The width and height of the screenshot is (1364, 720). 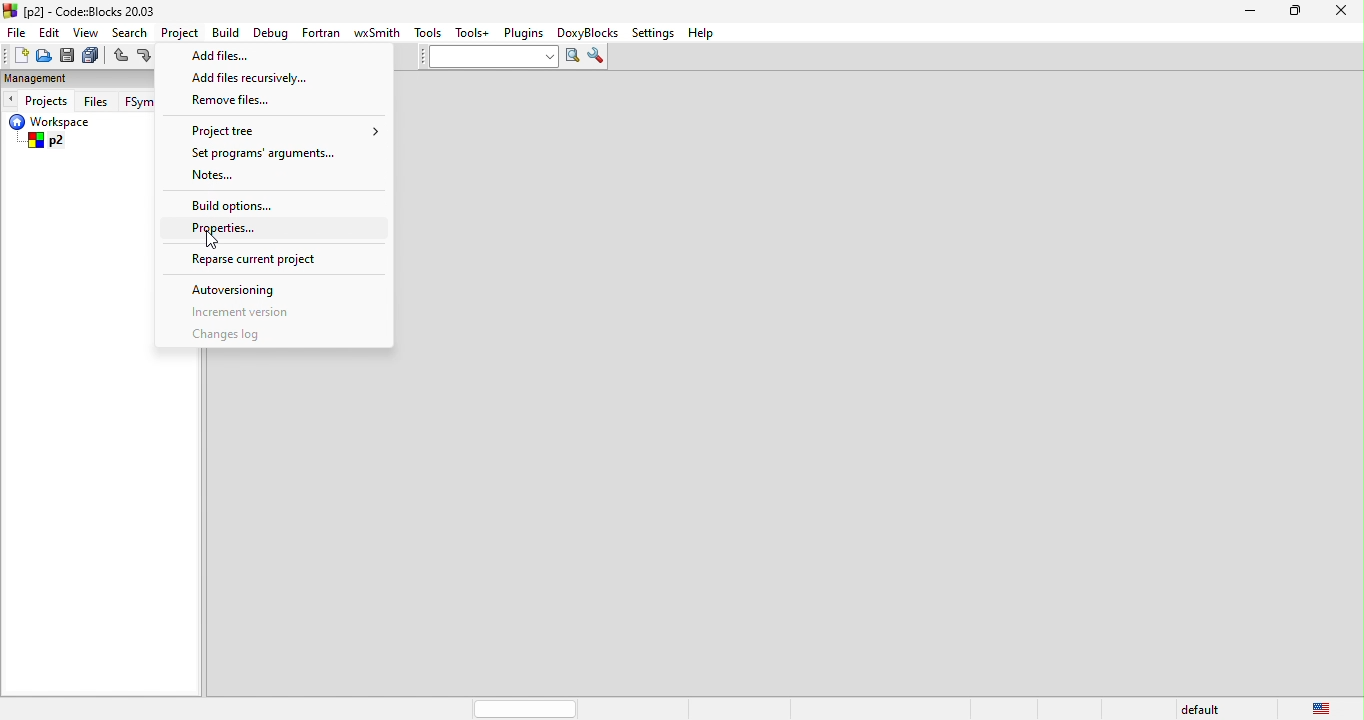 I want to click on set programs' arguments, so click(x=259, y=154).